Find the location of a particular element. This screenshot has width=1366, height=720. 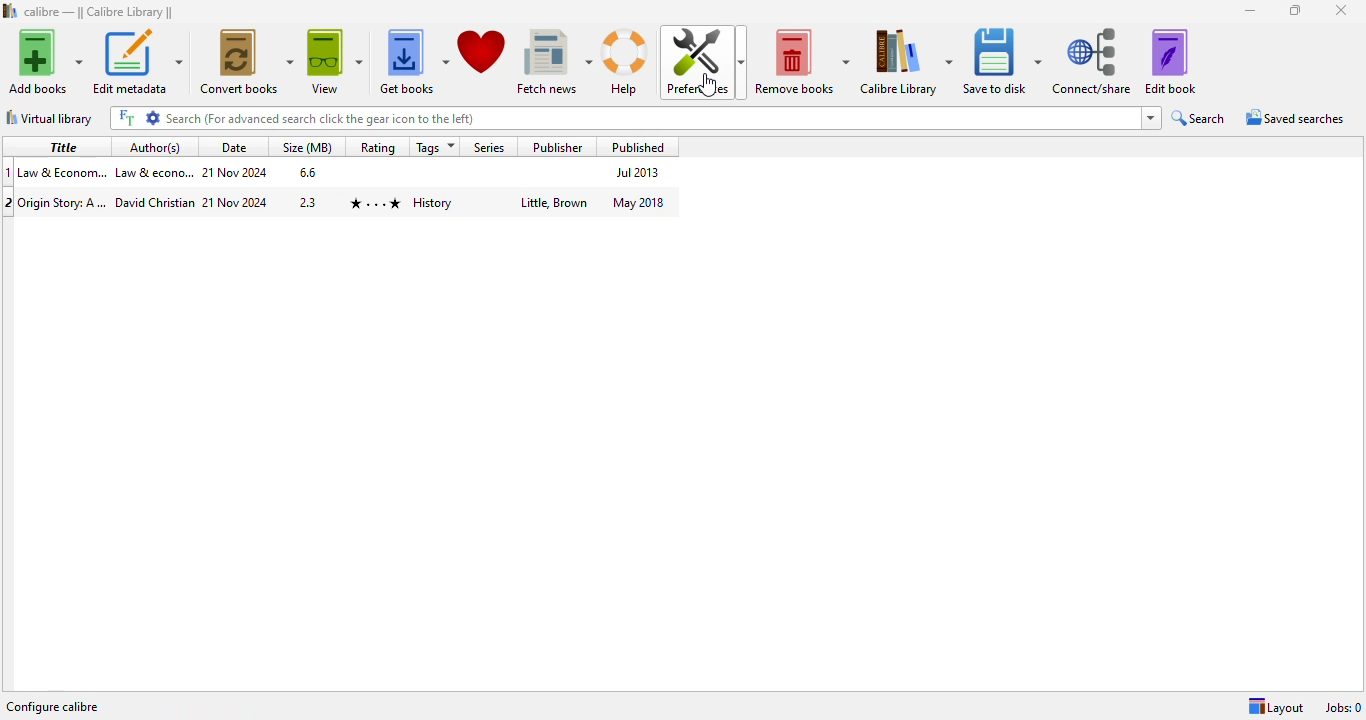

view is located at coordinates (335, 61).